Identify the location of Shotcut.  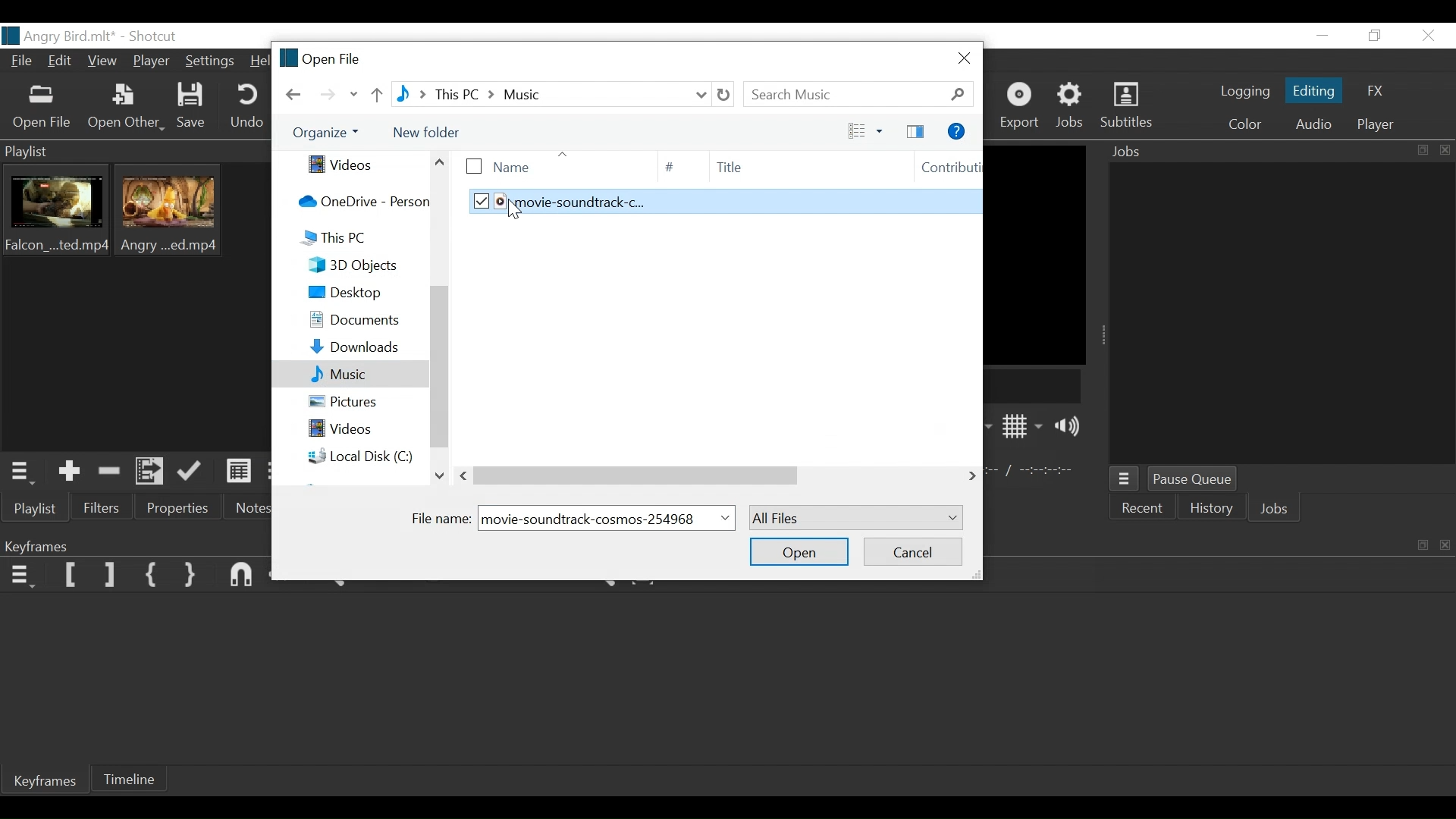
(156, 35).